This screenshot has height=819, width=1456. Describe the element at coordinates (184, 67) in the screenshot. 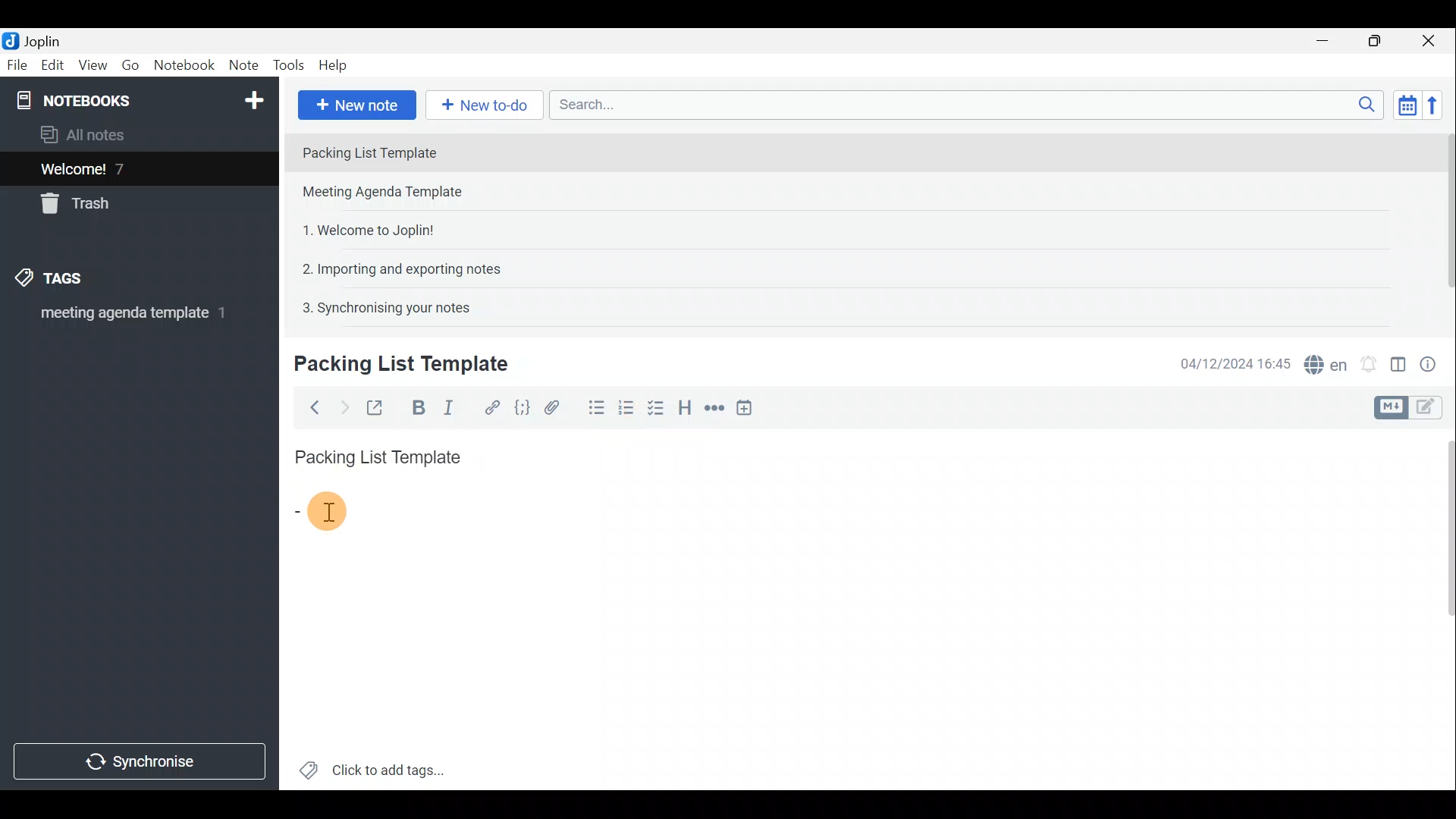

I see `Notebook` at that location.